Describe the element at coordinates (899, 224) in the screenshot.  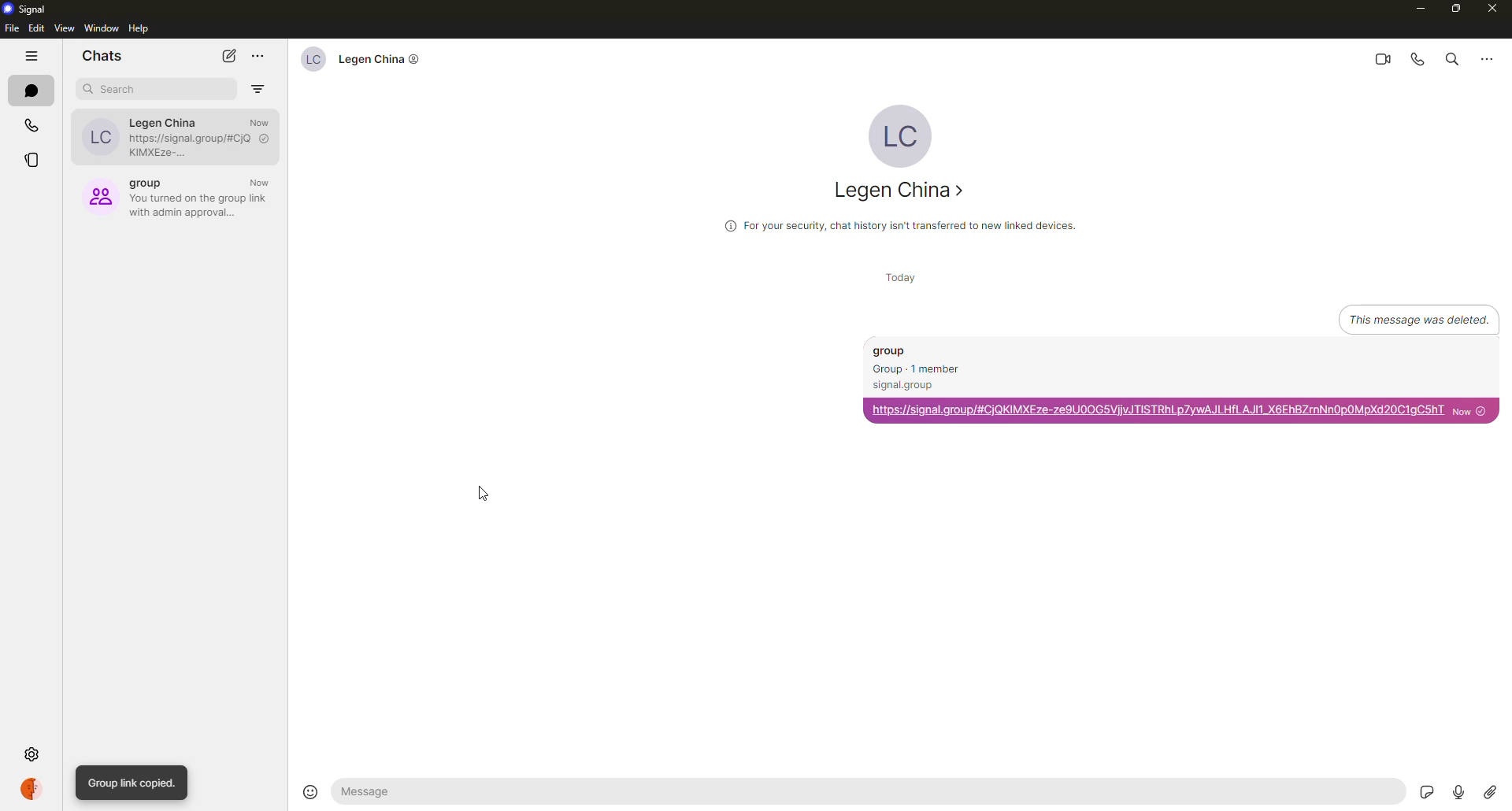
I see `info` at that location.